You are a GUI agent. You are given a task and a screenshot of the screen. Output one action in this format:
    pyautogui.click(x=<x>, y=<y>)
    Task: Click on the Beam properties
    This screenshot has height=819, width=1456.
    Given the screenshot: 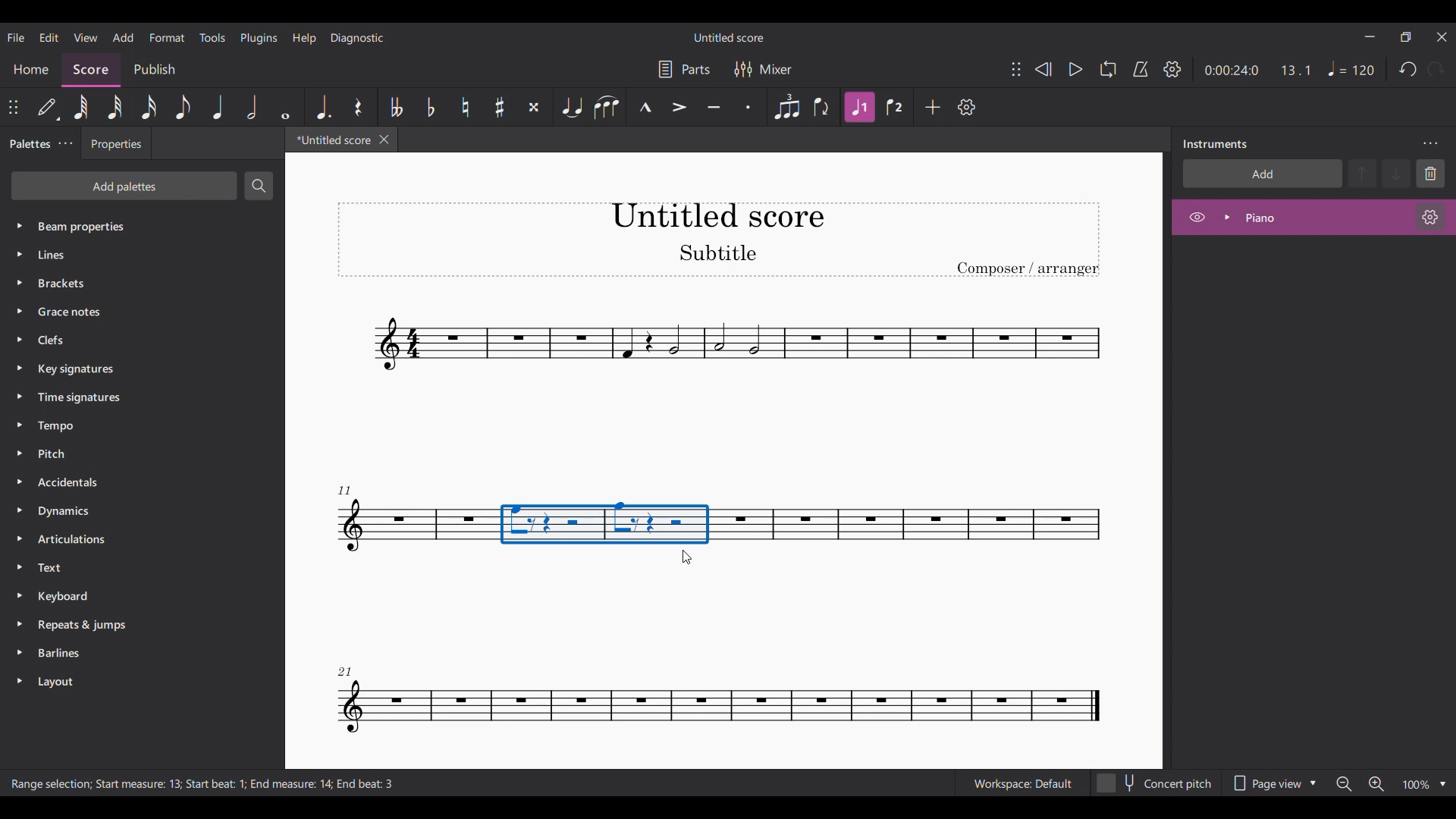 What is the action you would take?
    pyautogui.click(x=137, y=225)
    